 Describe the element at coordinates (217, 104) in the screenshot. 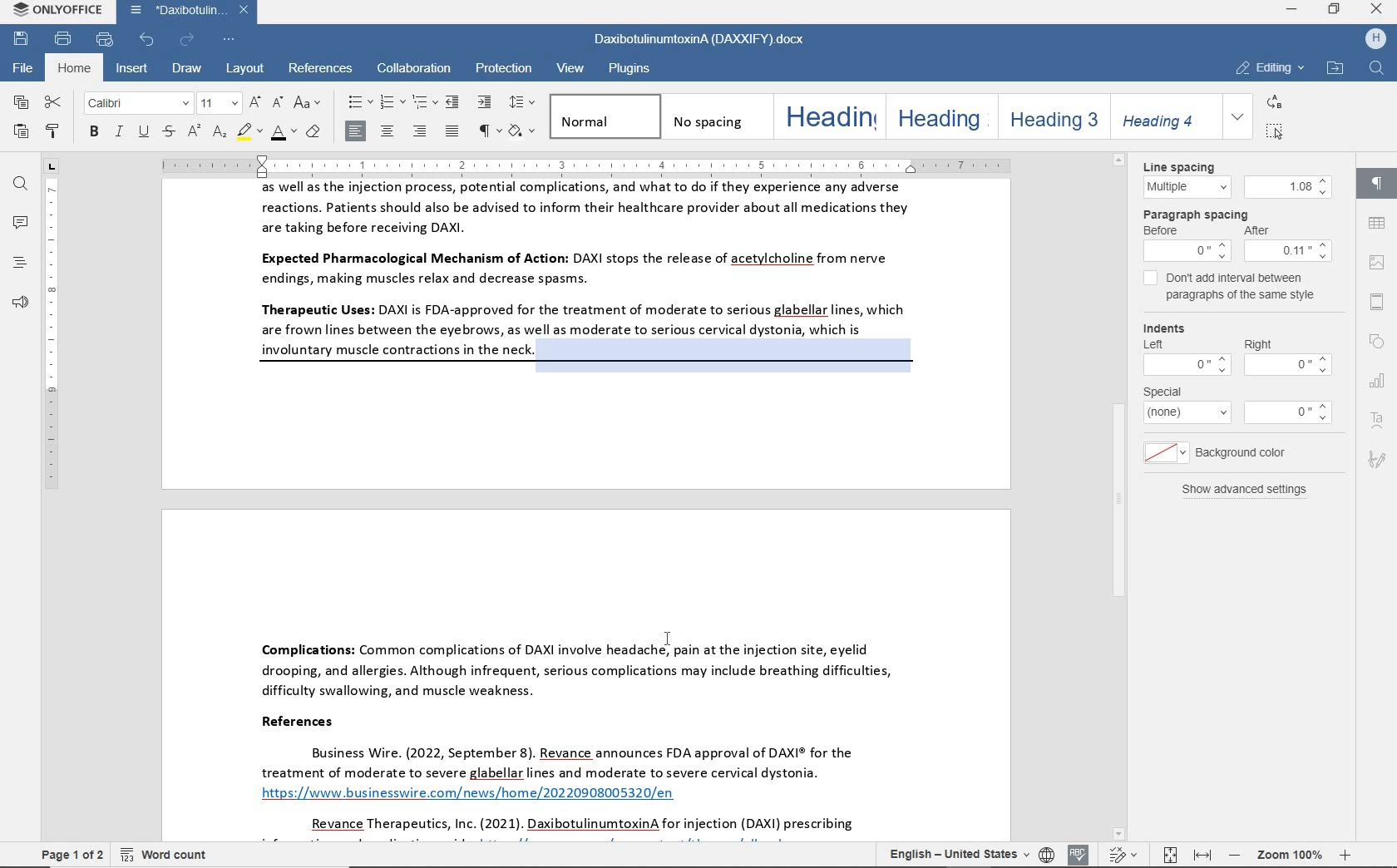

I see `font size` at that location.